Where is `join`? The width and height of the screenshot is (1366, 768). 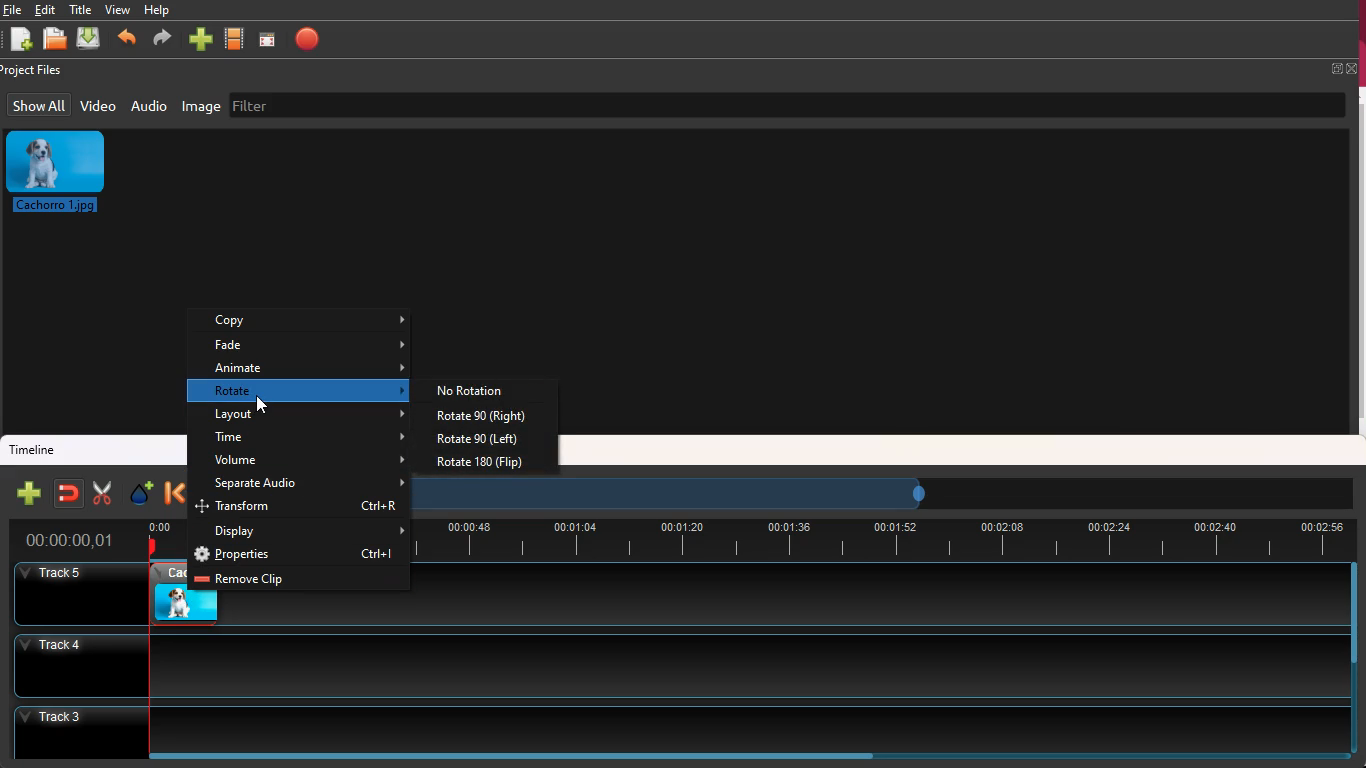
join is located at coordinates (70, 493).